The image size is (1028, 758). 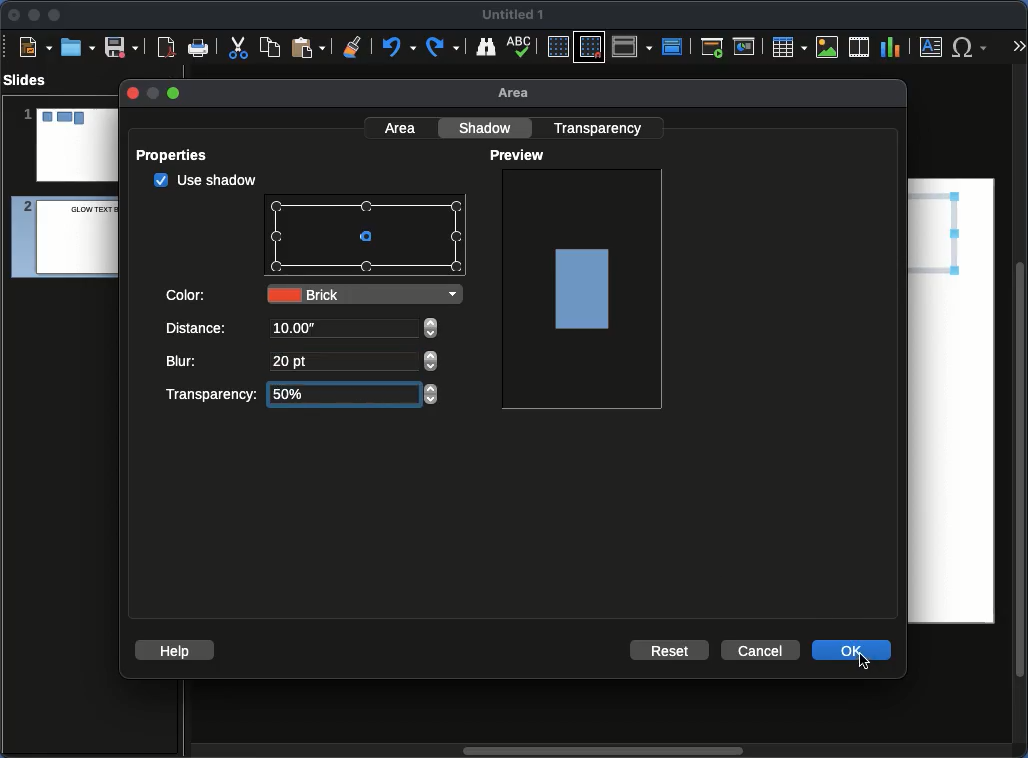 What do you see at coordinates (520, 156) in the screenshot?
I see `Preview` at bounding box center [520, 156].